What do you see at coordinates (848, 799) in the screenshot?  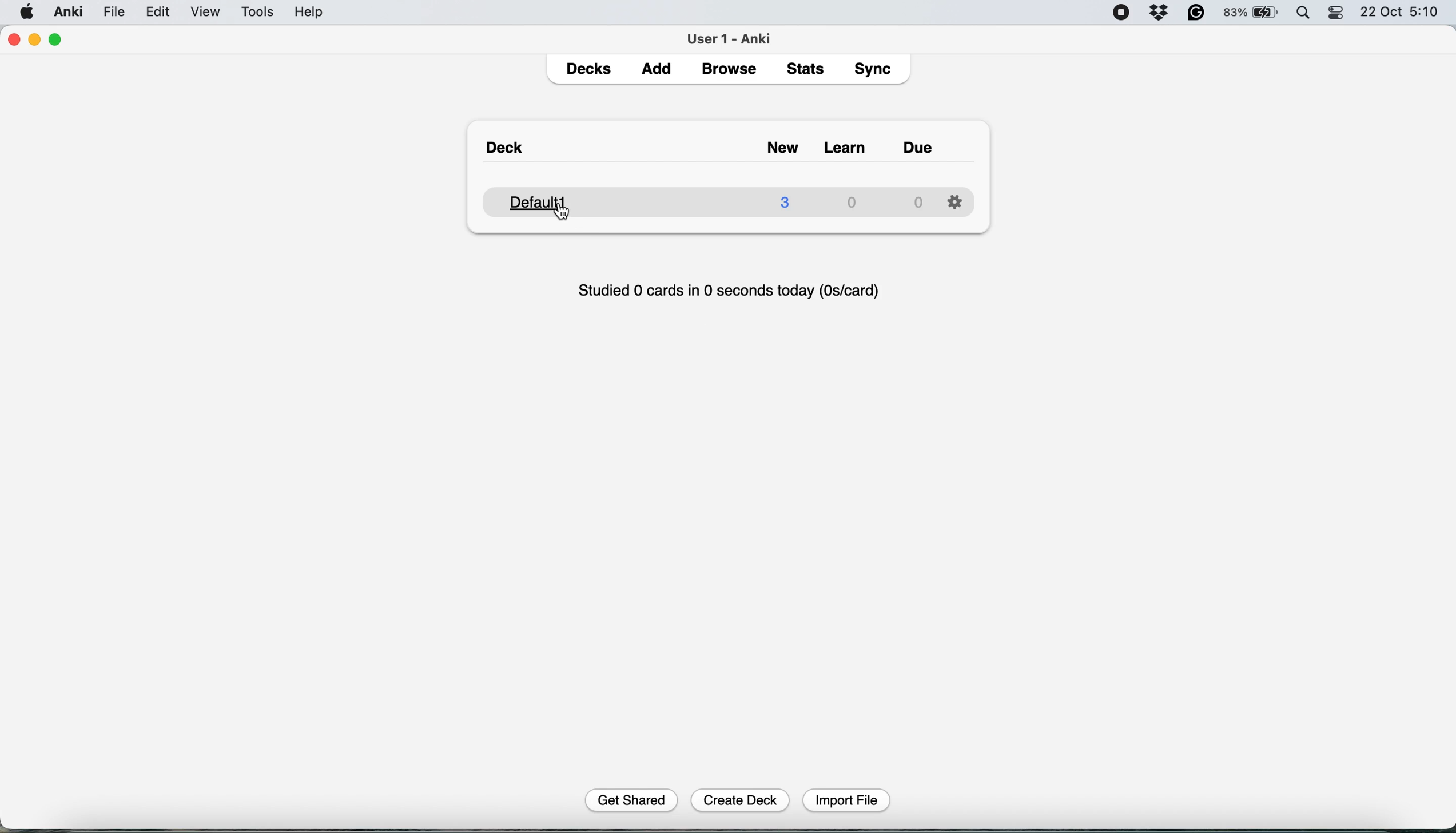 I see `import file` at bounding box center [848, 799].